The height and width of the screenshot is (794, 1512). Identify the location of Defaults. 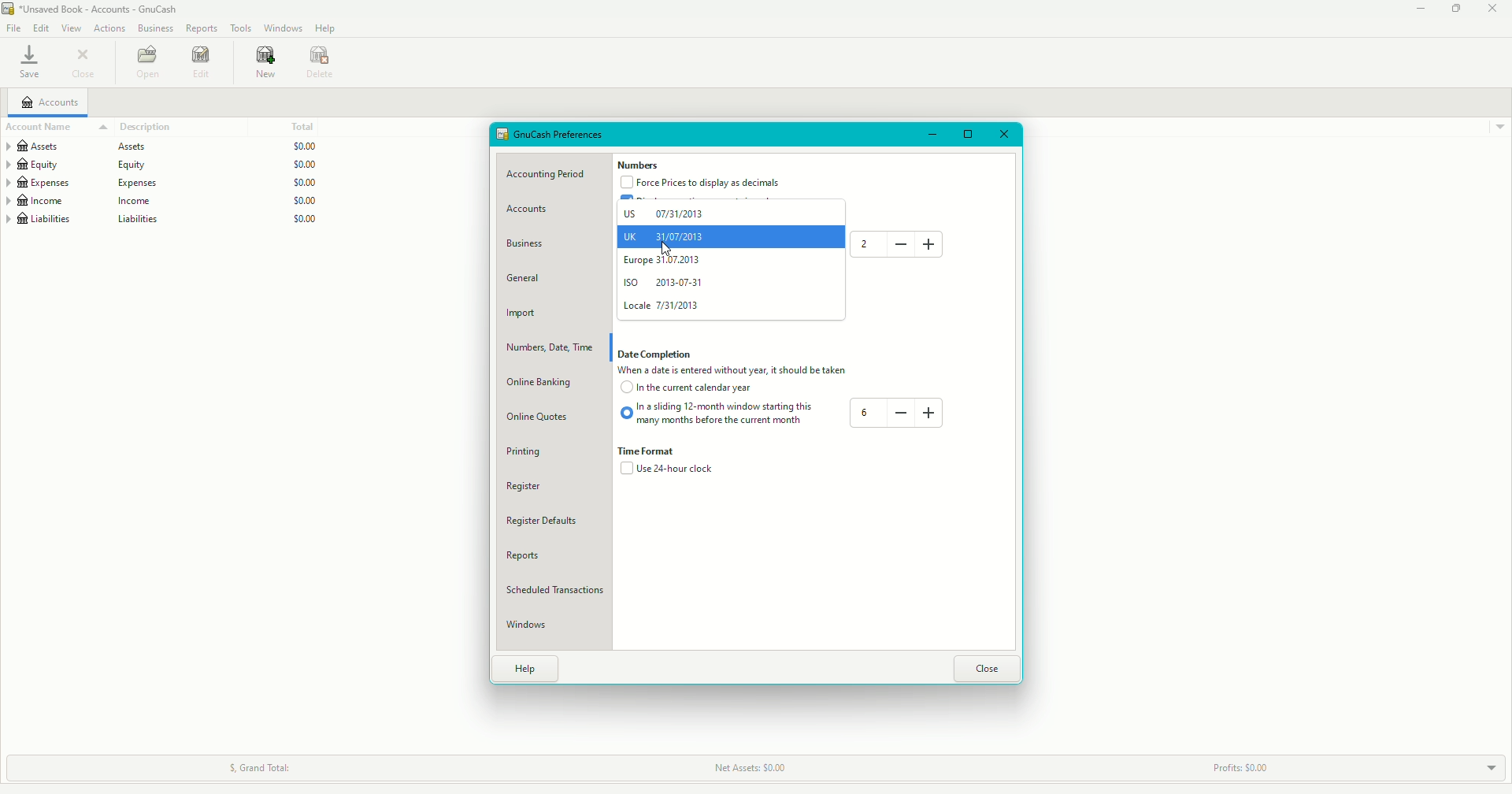
(553, 521).